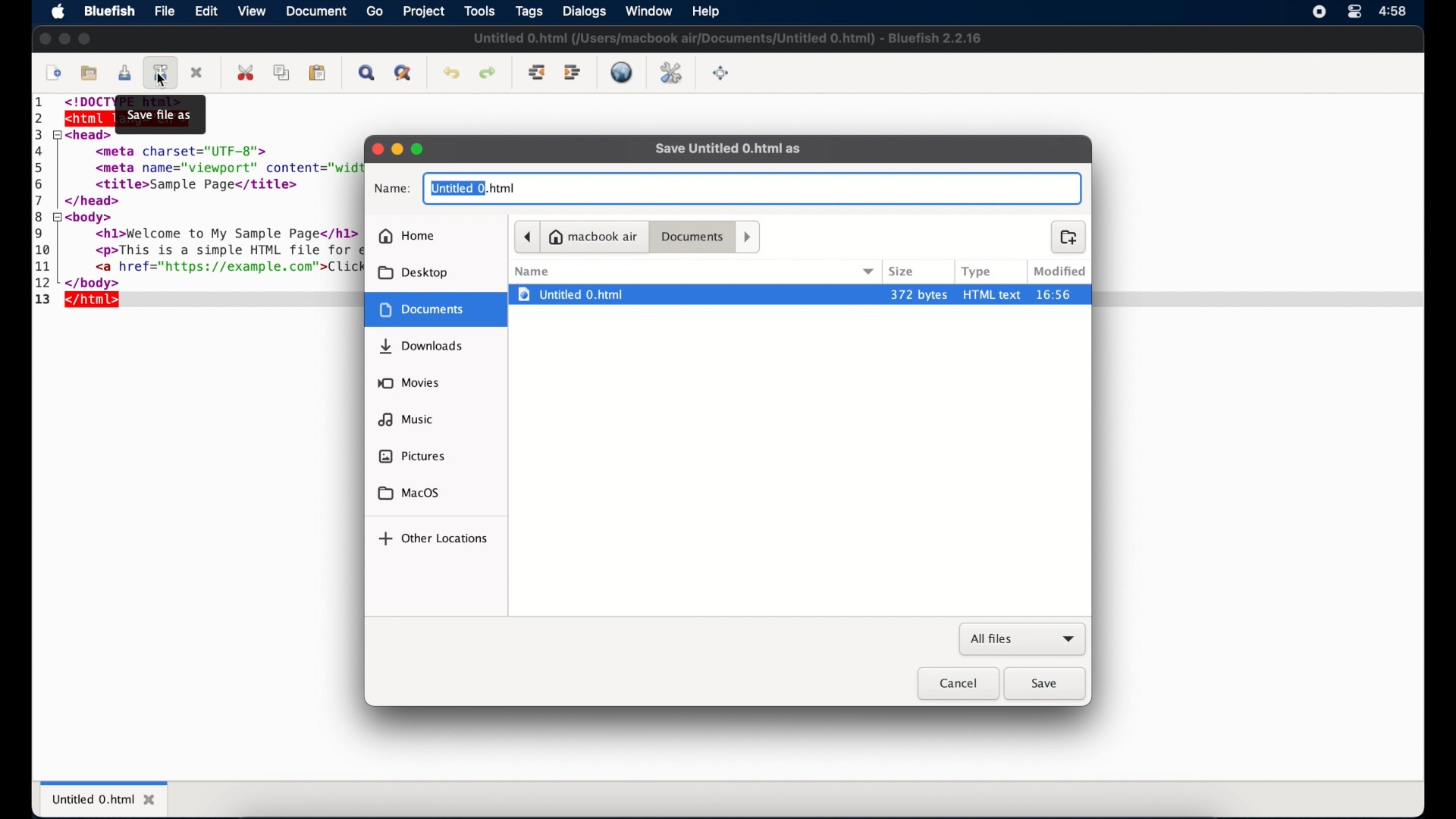 The width and height of the screenshot is (1456, 819). What do you see at coordinates (425, 12) in the screenshot?
I see `project` at bounding box center [425, 12].